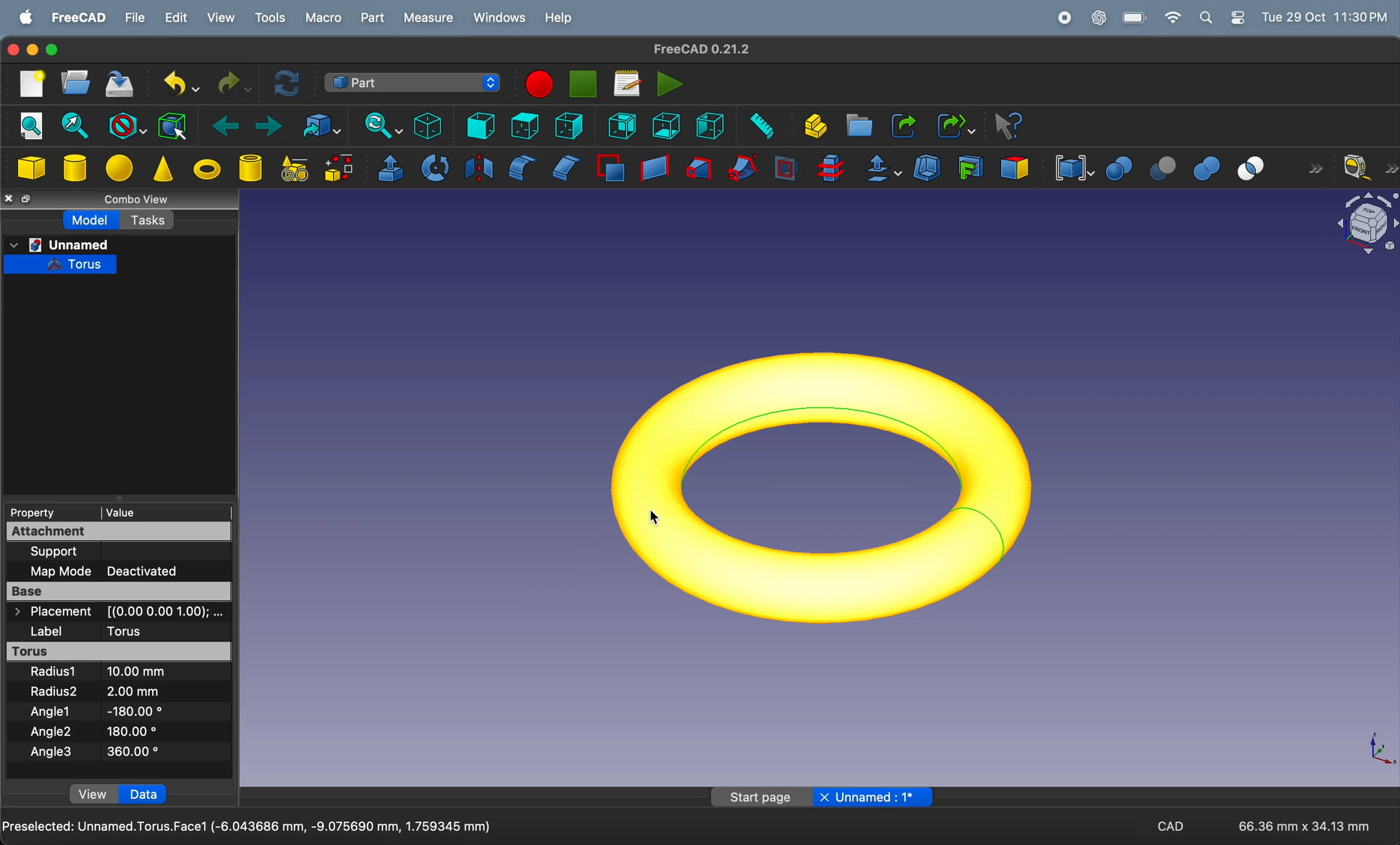 Image resolution: width=1400 pixels, height=845 pixels. I want to click on wifi, so click(1174, 17).